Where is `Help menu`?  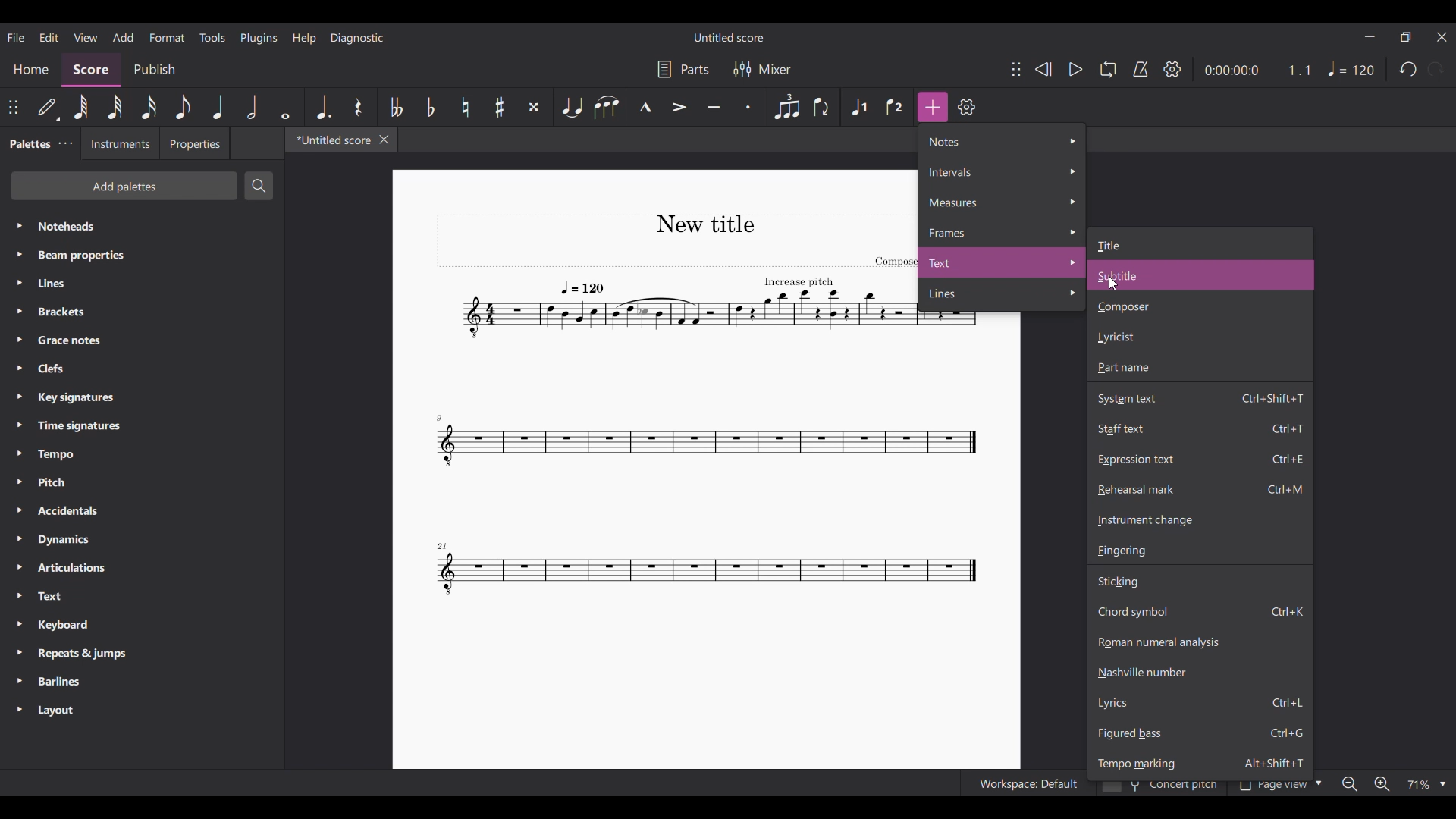 Help menu is located at coordinates (304, 39).